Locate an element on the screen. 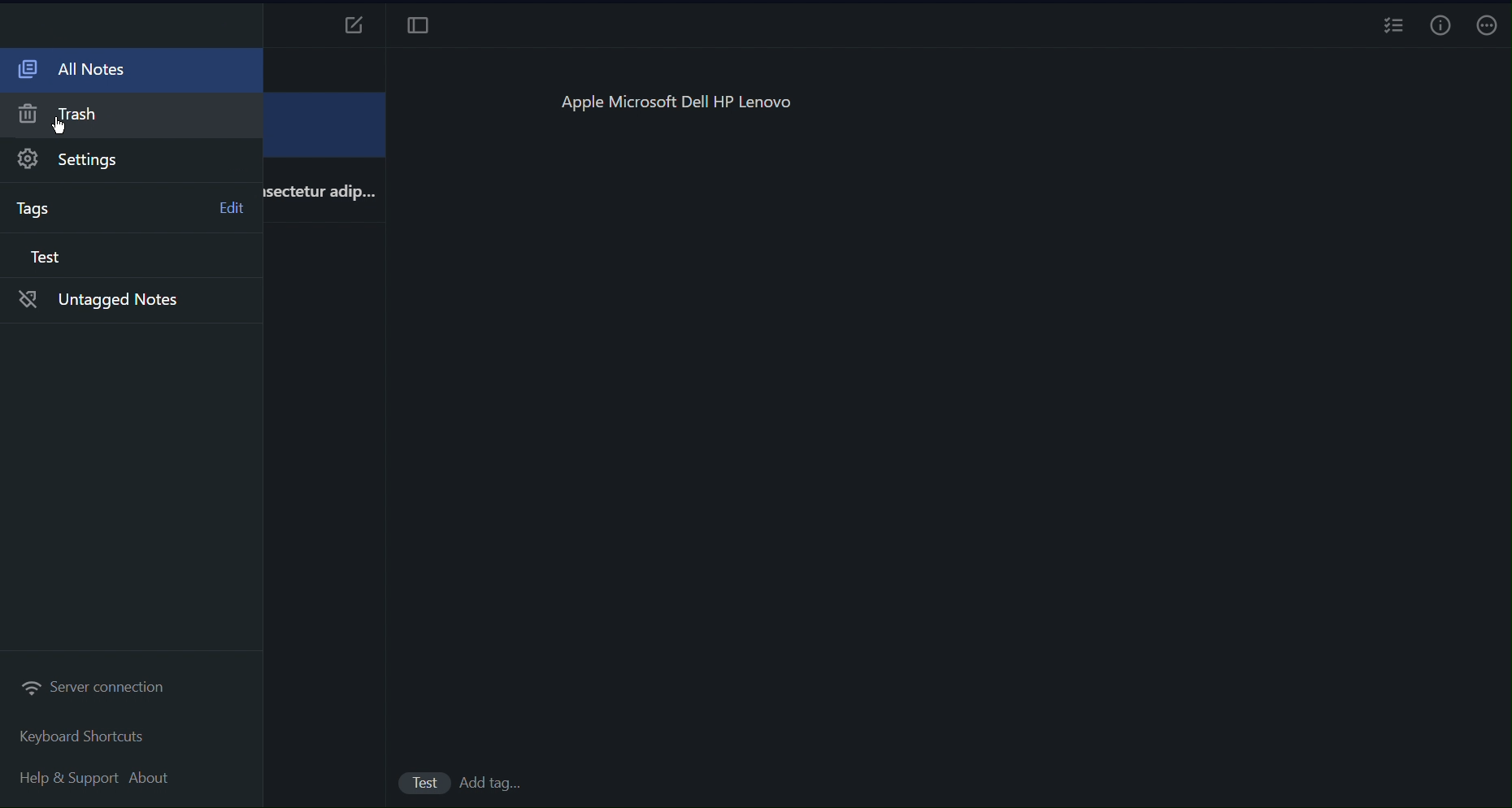  Untagged notes is located at coordinates (113, 301).